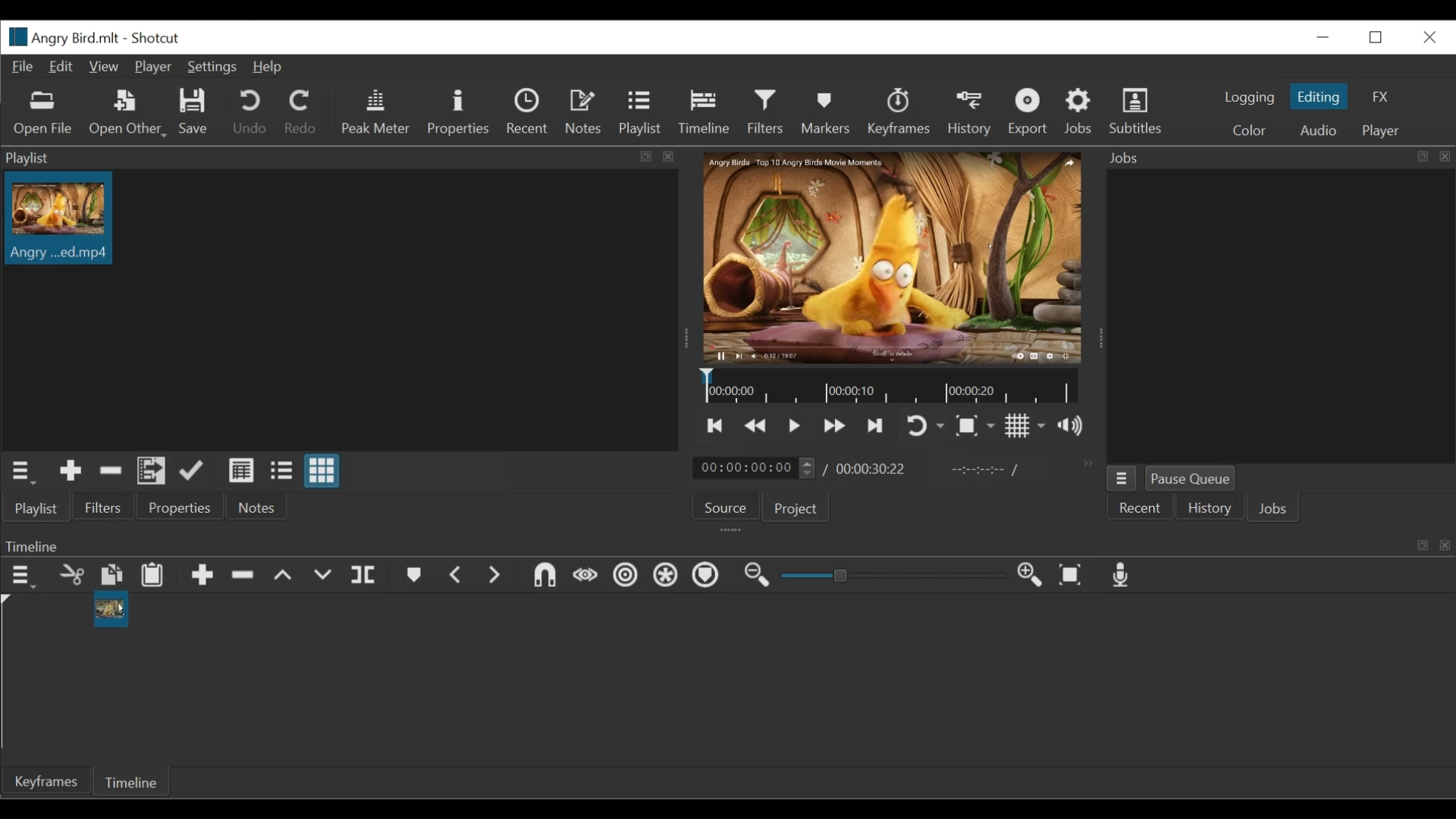 The width and height of the screenshot is (1456, 819). I want to click on Clip, so click(64, 218).